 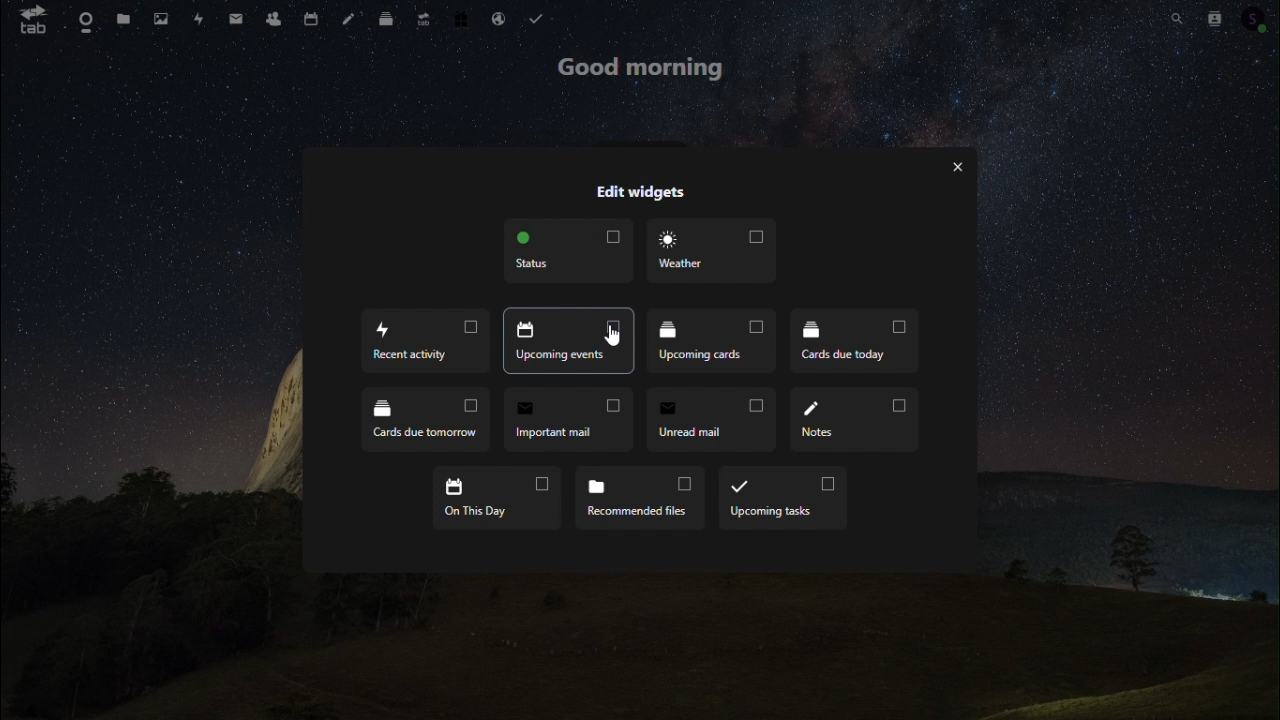 What do you see at coordinates (853, 418) in the screenshot?
I see `Notes` at bounding box center [853, 418].